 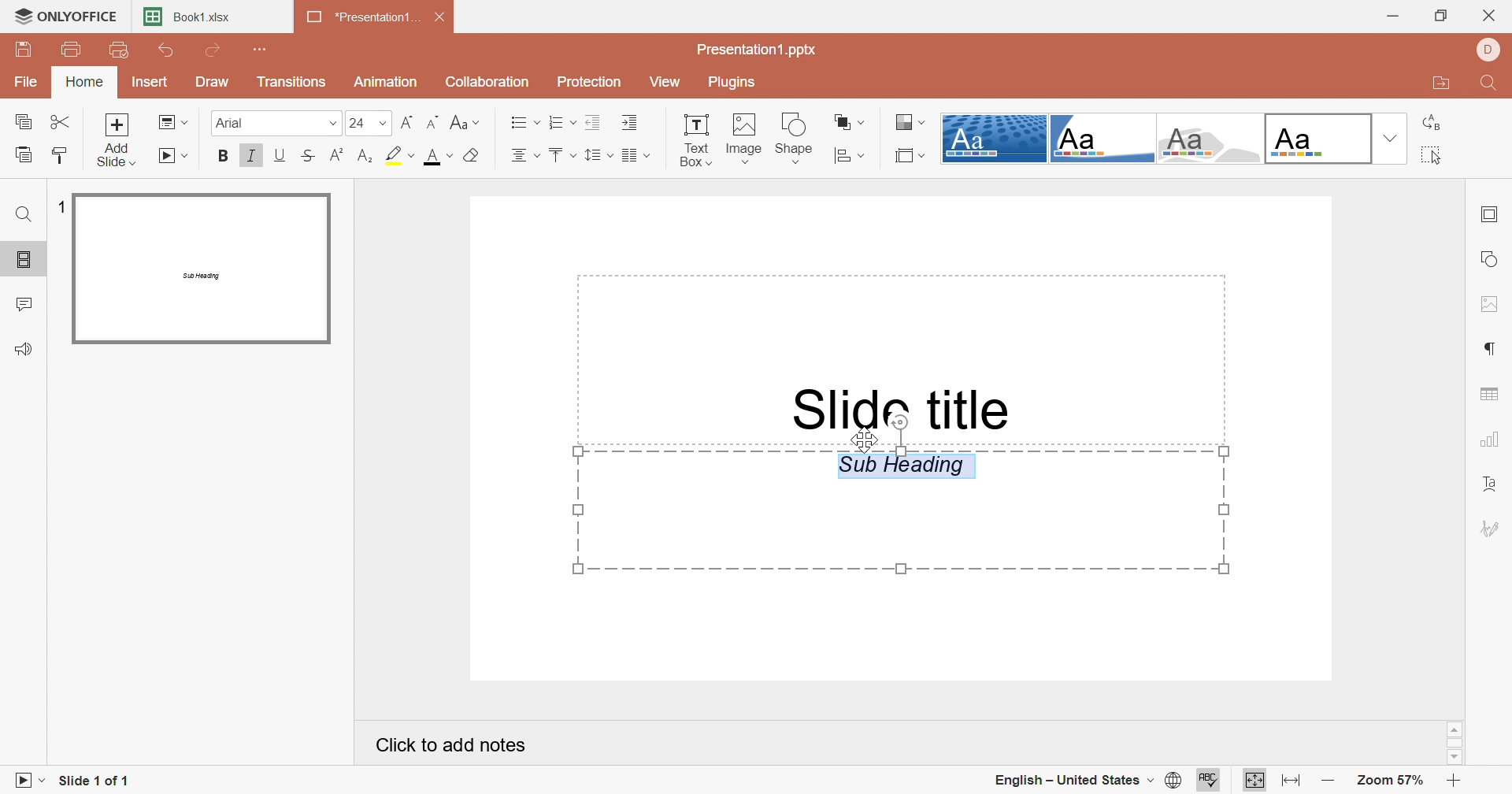 What do you see at coordinates (24, 213) in the screenshot?
I see `Find` at bounding box center [24, 213].